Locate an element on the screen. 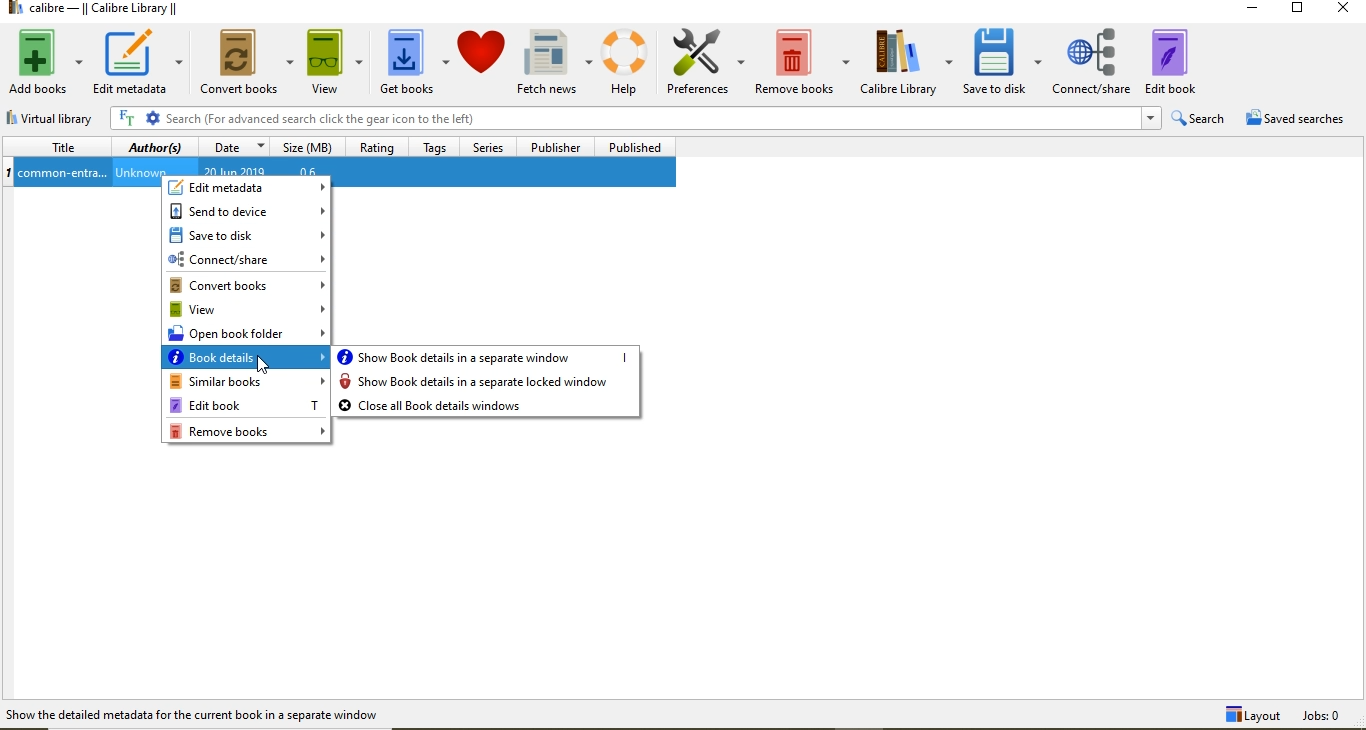 This screenshot has width=1366, height=730. Layout is located at coordinates (1250, 716).